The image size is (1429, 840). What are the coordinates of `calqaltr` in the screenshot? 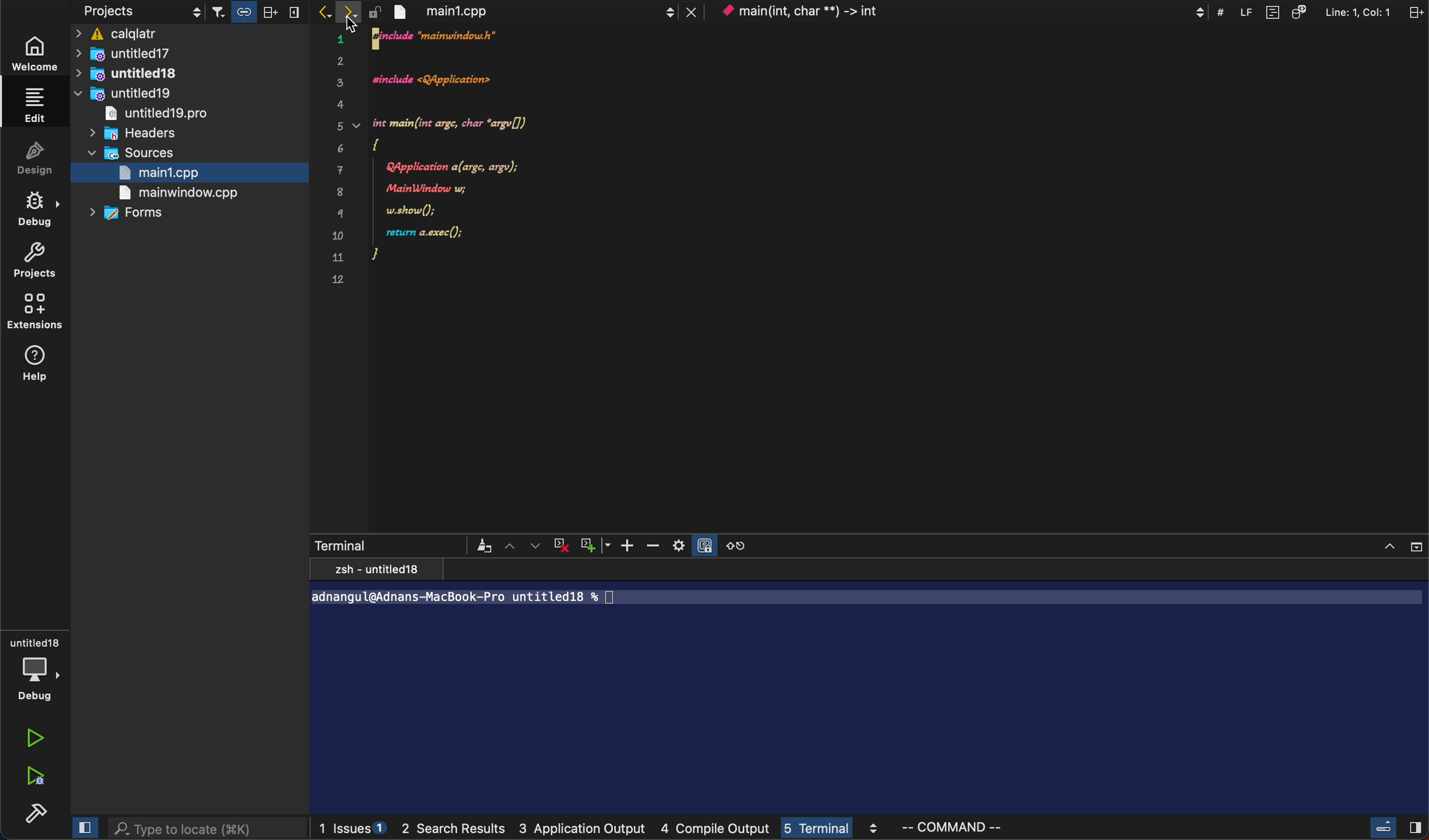 It's located at (191, 33).